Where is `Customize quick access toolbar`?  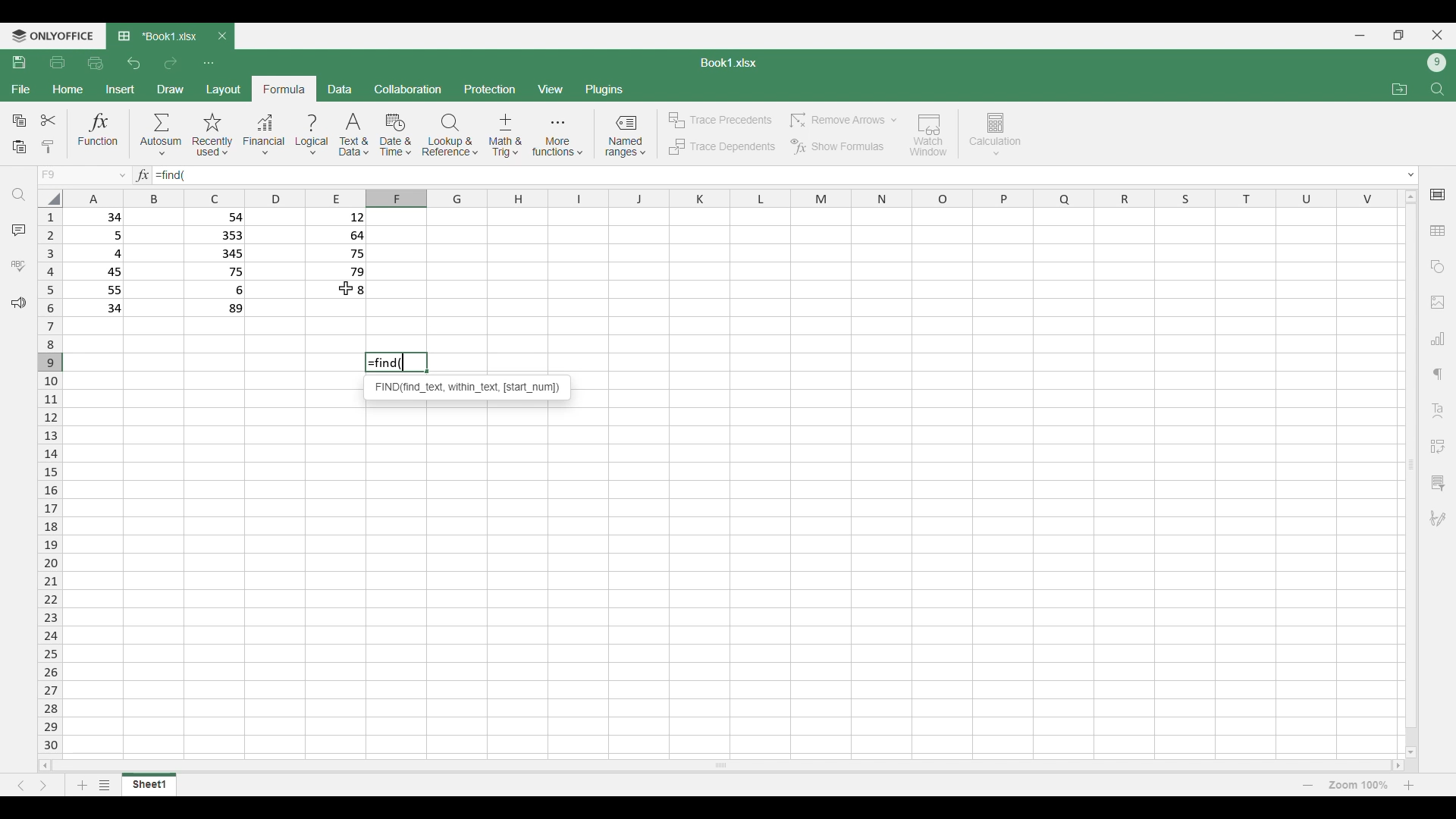
Customize quick access toolbar is located at coordinates (209, 64).